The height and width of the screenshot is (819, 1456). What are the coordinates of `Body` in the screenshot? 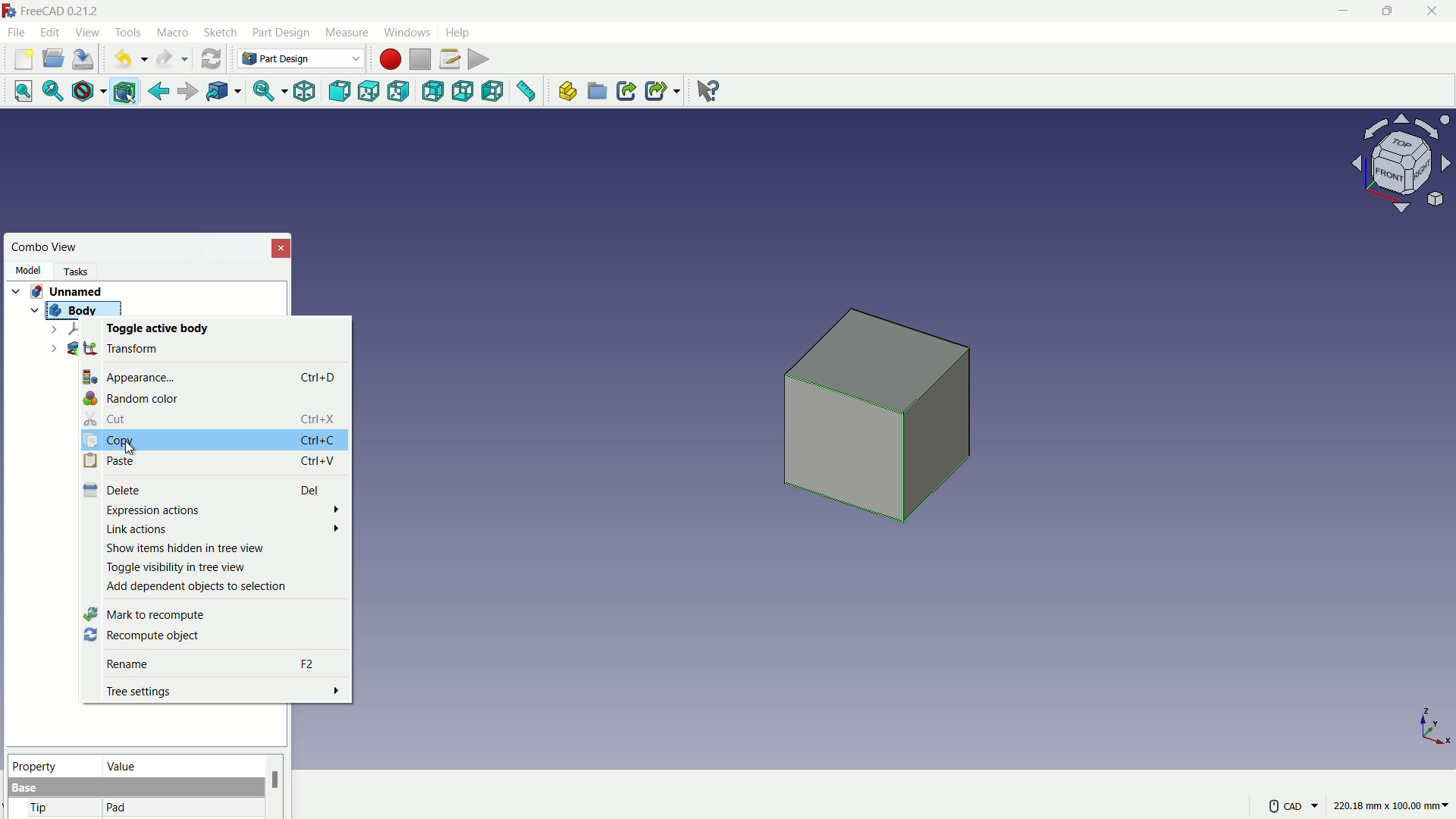 It's located at (72, 308).